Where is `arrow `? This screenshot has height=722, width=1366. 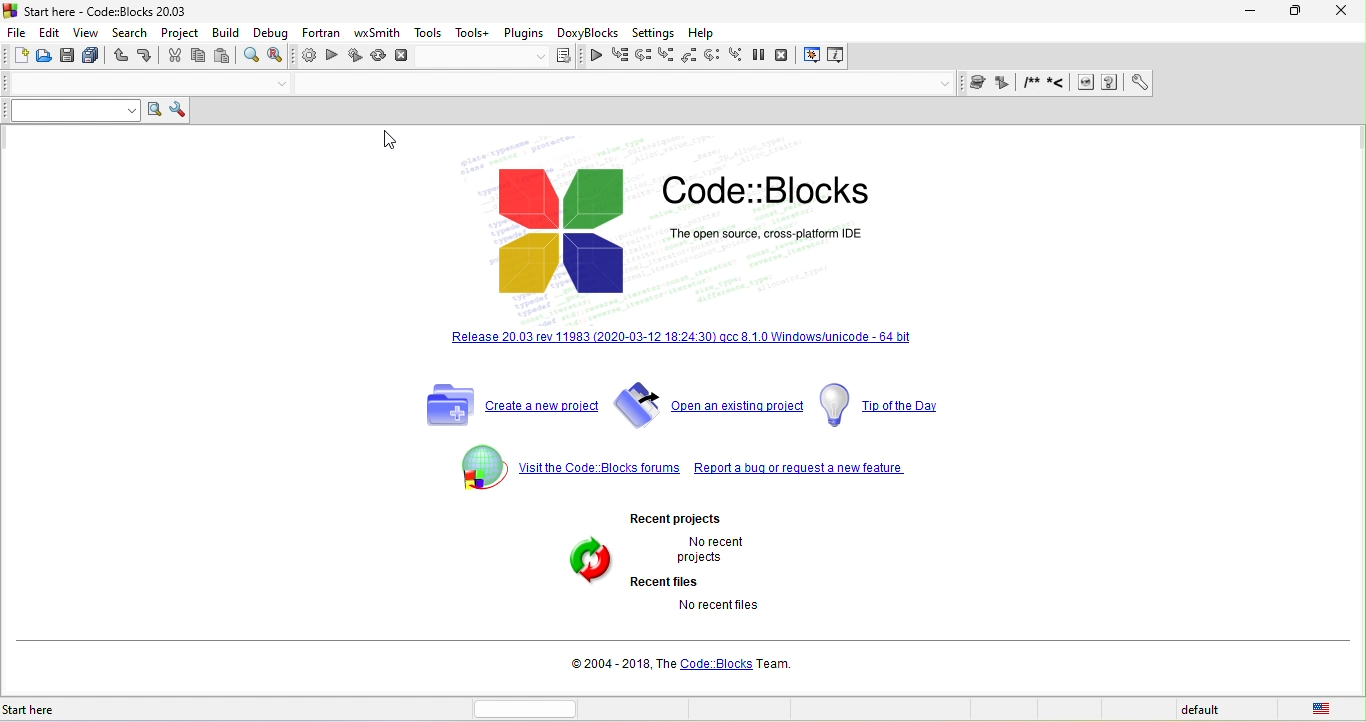 arrow  is located at coordinates (269, 84).